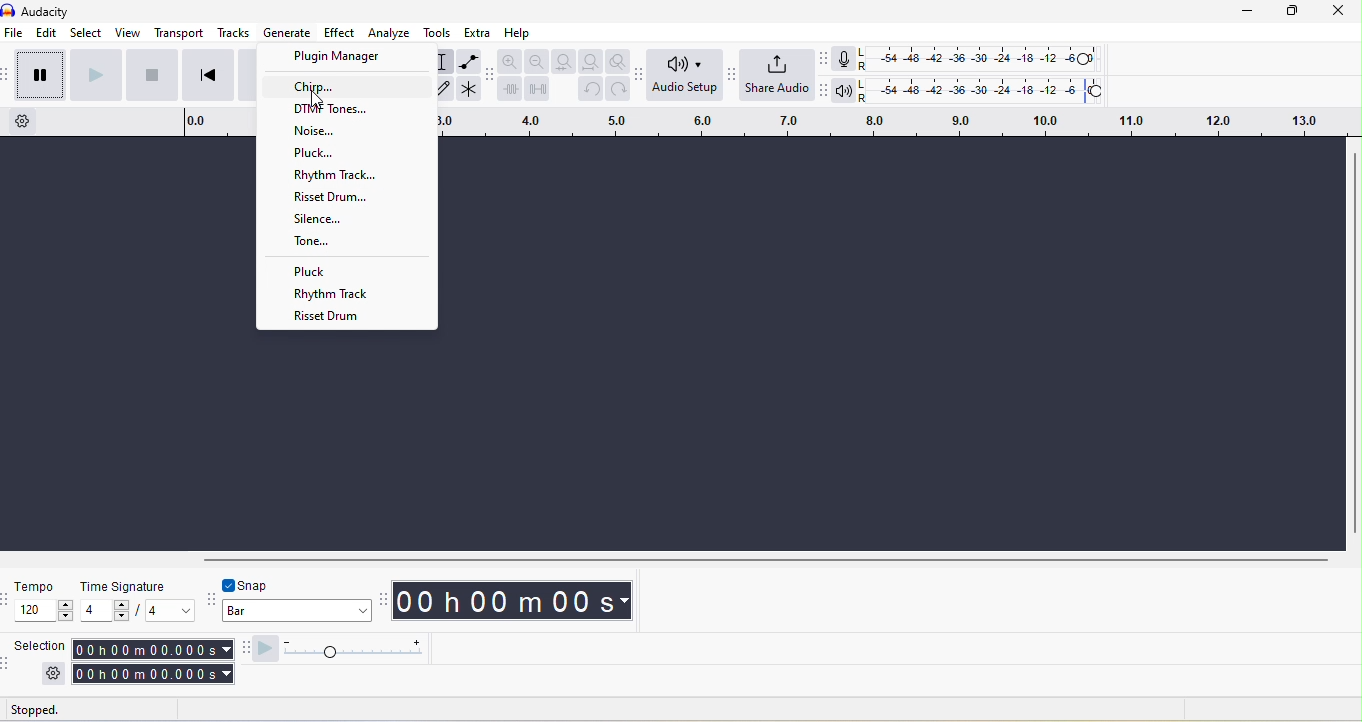 This screenshot has height=722, width=1362. I want to click on redo, so click(619, 89).